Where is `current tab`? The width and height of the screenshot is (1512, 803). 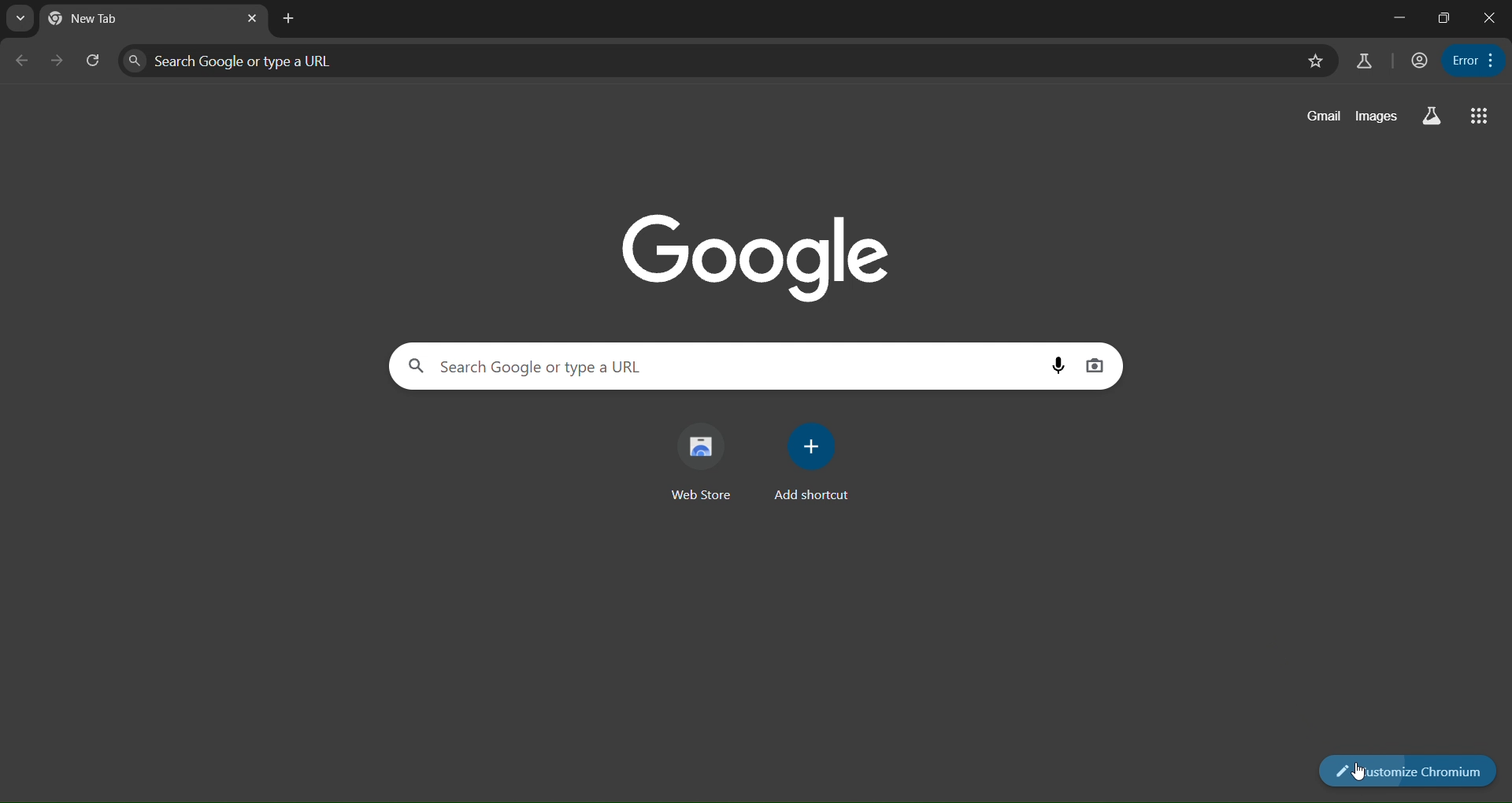 current tab is located at coordinates (86, 18).